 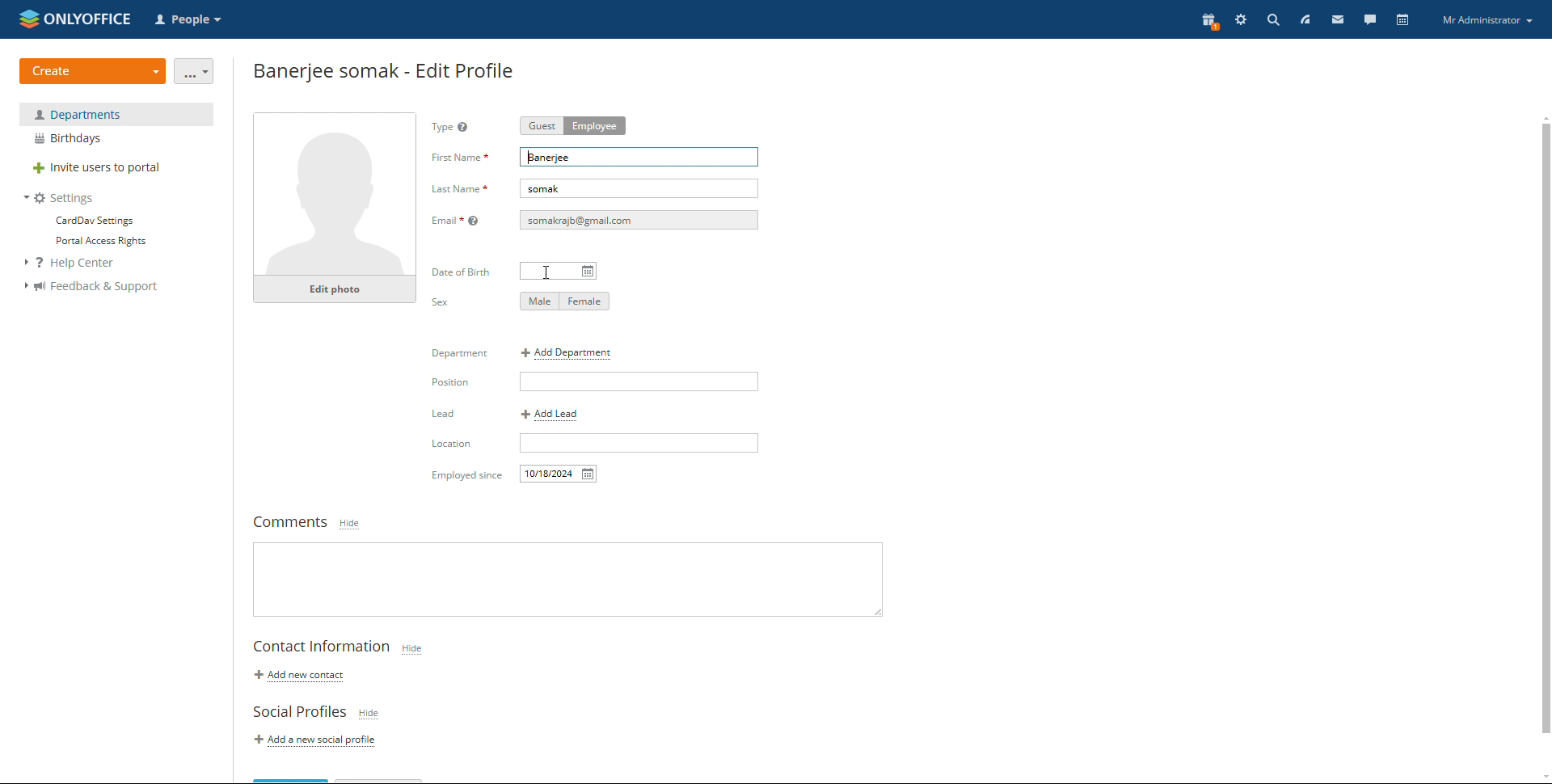 I want to click on scroll down, so click(x=1542, y=778).